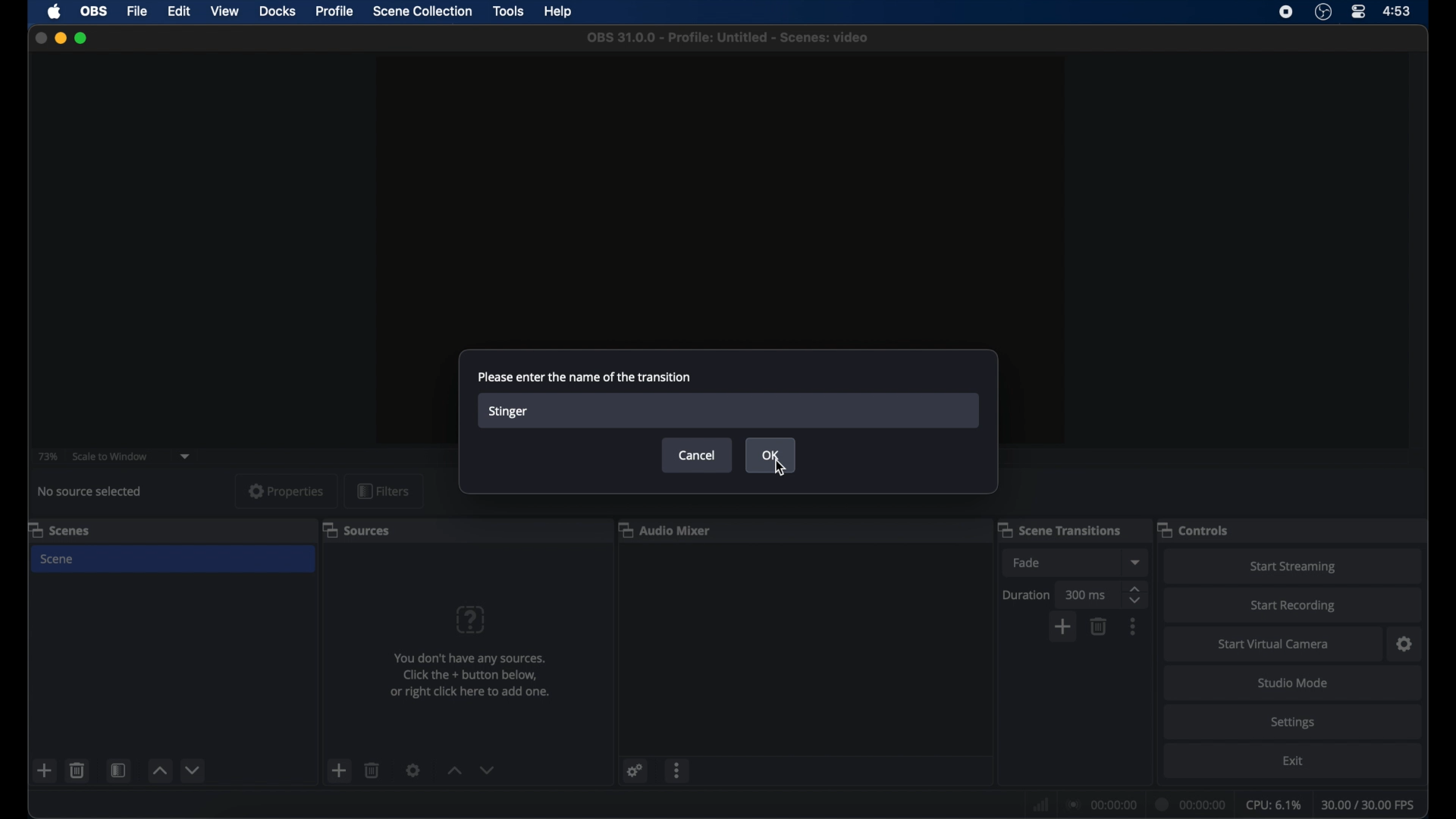 Image resolution: width=1456 pixels, height=819 pixels. What do you see at coordinates (1295, 606) in the screenshot?
I see `start recording` at bounding box center [1295, 606].